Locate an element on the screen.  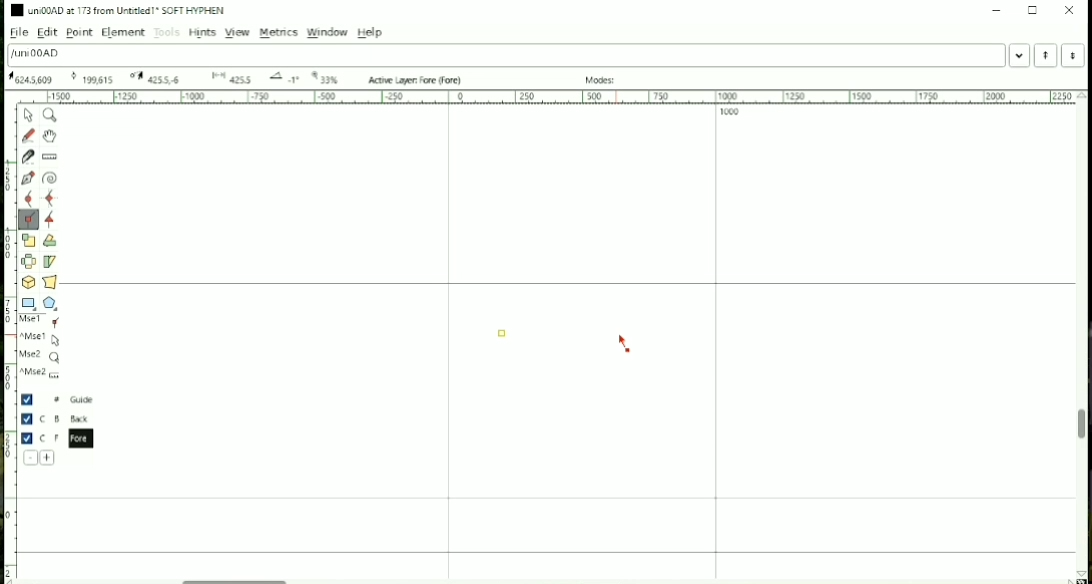
Mse1 is located at coordinates (43, 322).